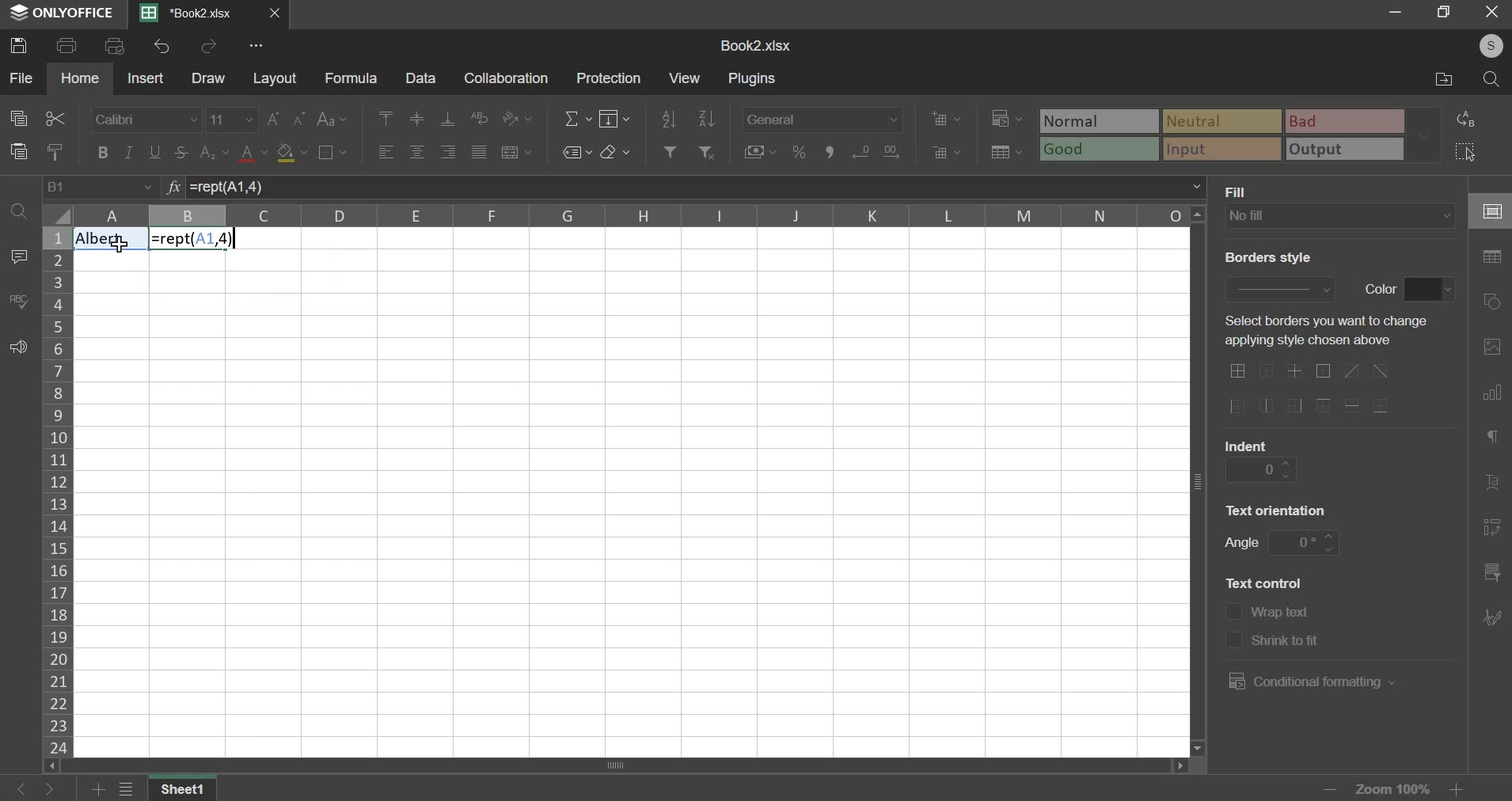 The image size is (1512, 801). Describe the element at coordinates (1385, 788) in the screenshot. I see `zoom` at that location.